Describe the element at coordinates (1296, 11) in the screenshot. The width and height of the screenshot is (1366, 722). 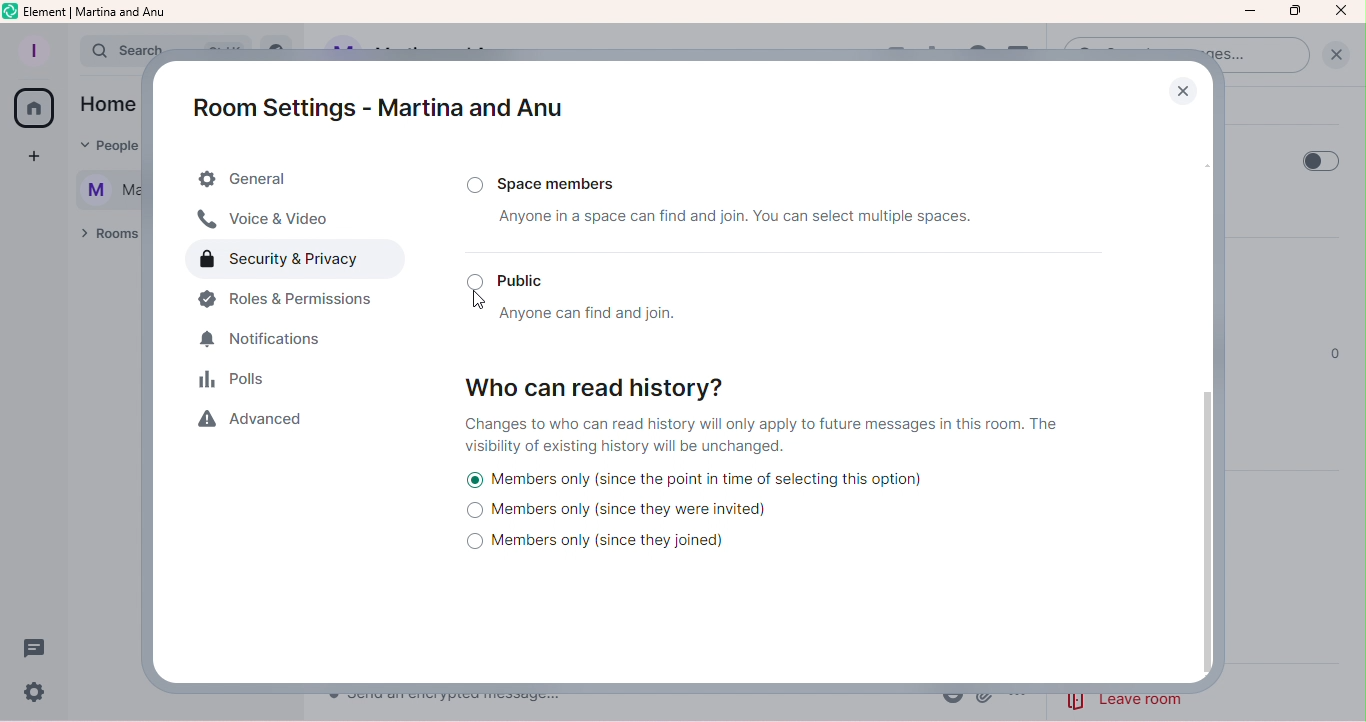
I see `Maximize` at that location.